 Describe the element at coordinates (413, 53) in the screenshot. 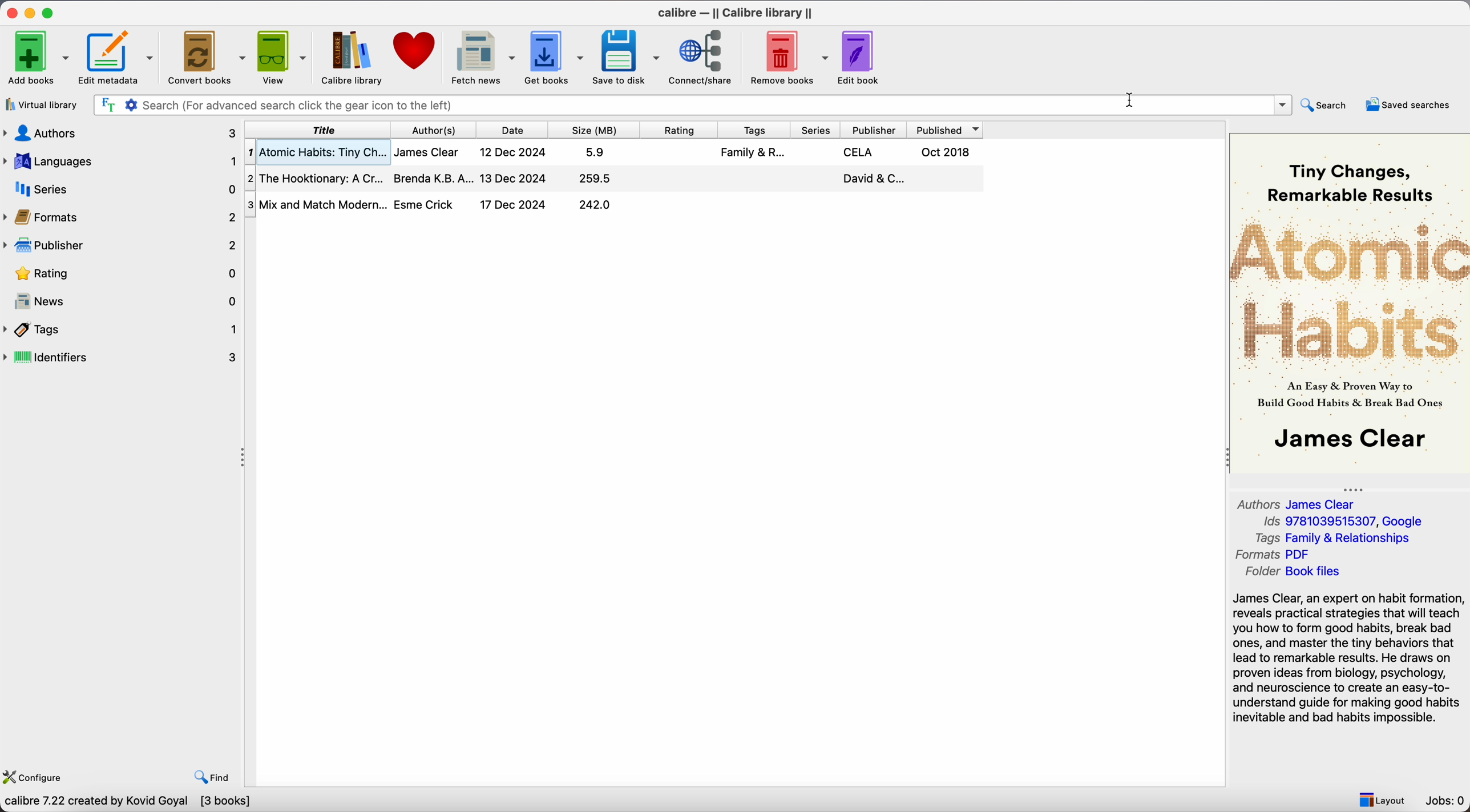

I see `donate` at that location.